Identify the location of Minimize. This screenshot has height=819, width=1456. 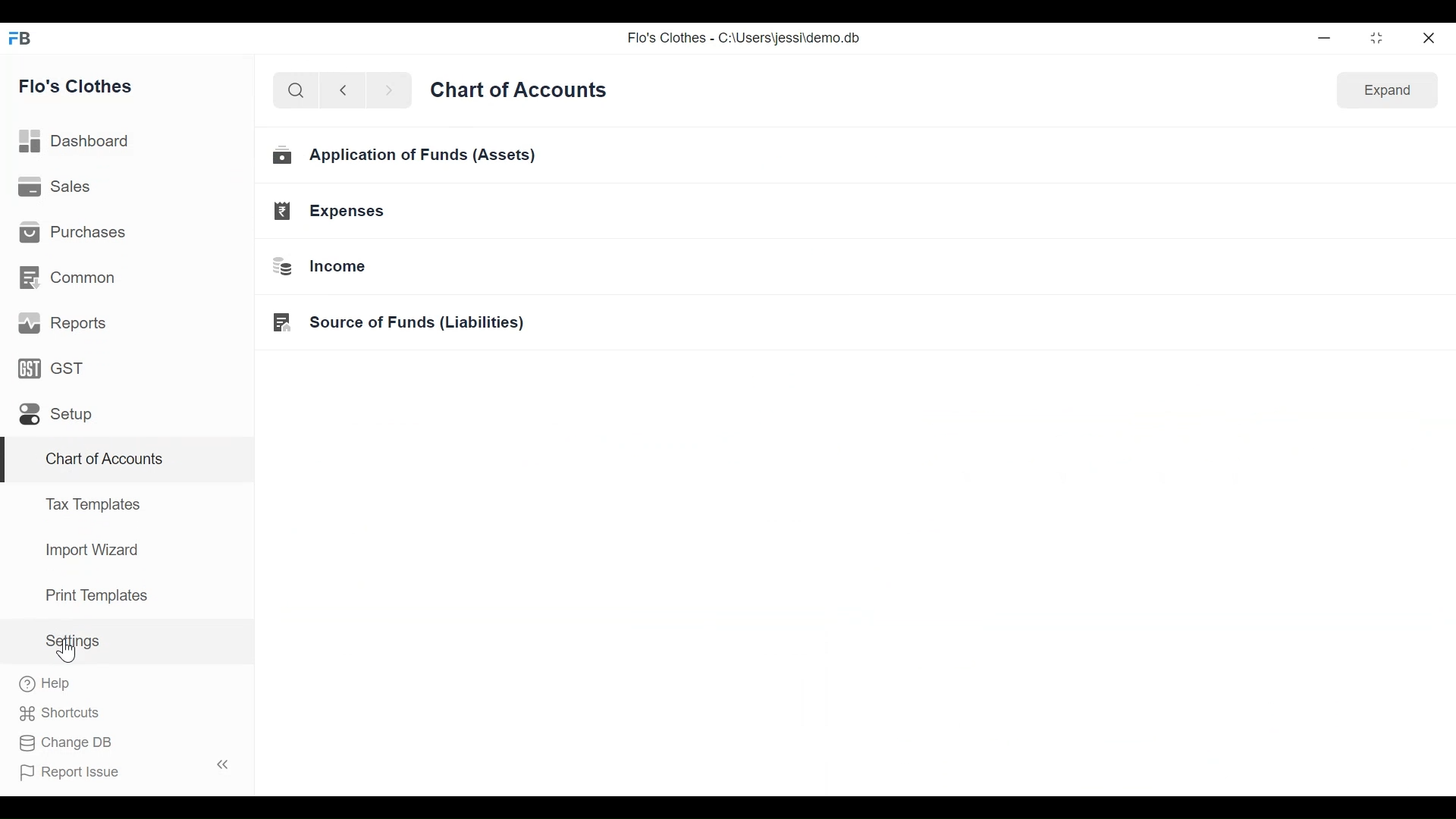
(1322, 37).